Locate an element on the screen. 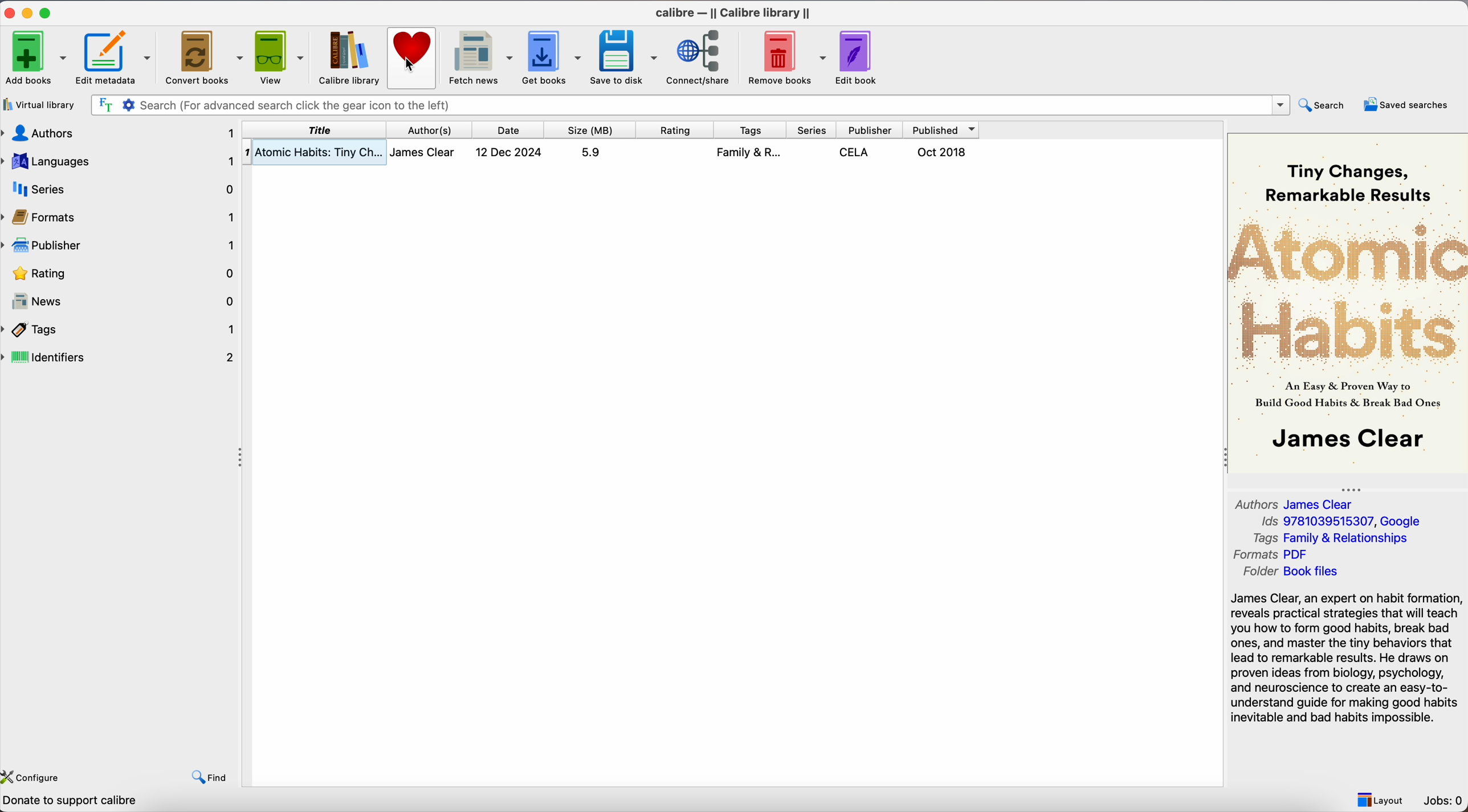 This screenshot has height=812, width=1468. publisher is located at coordinates (121, 246).